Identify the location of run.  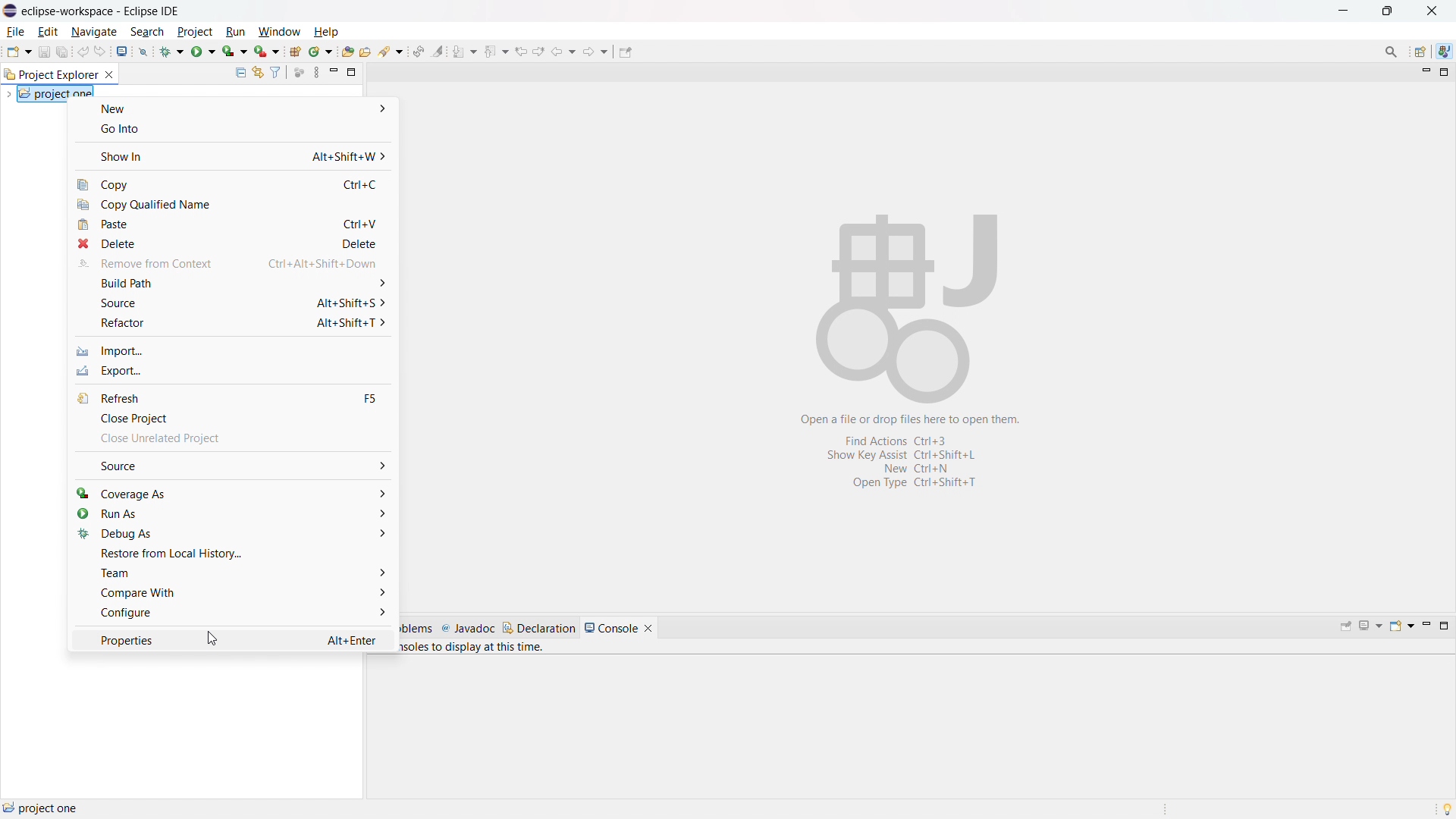
(203, 50).